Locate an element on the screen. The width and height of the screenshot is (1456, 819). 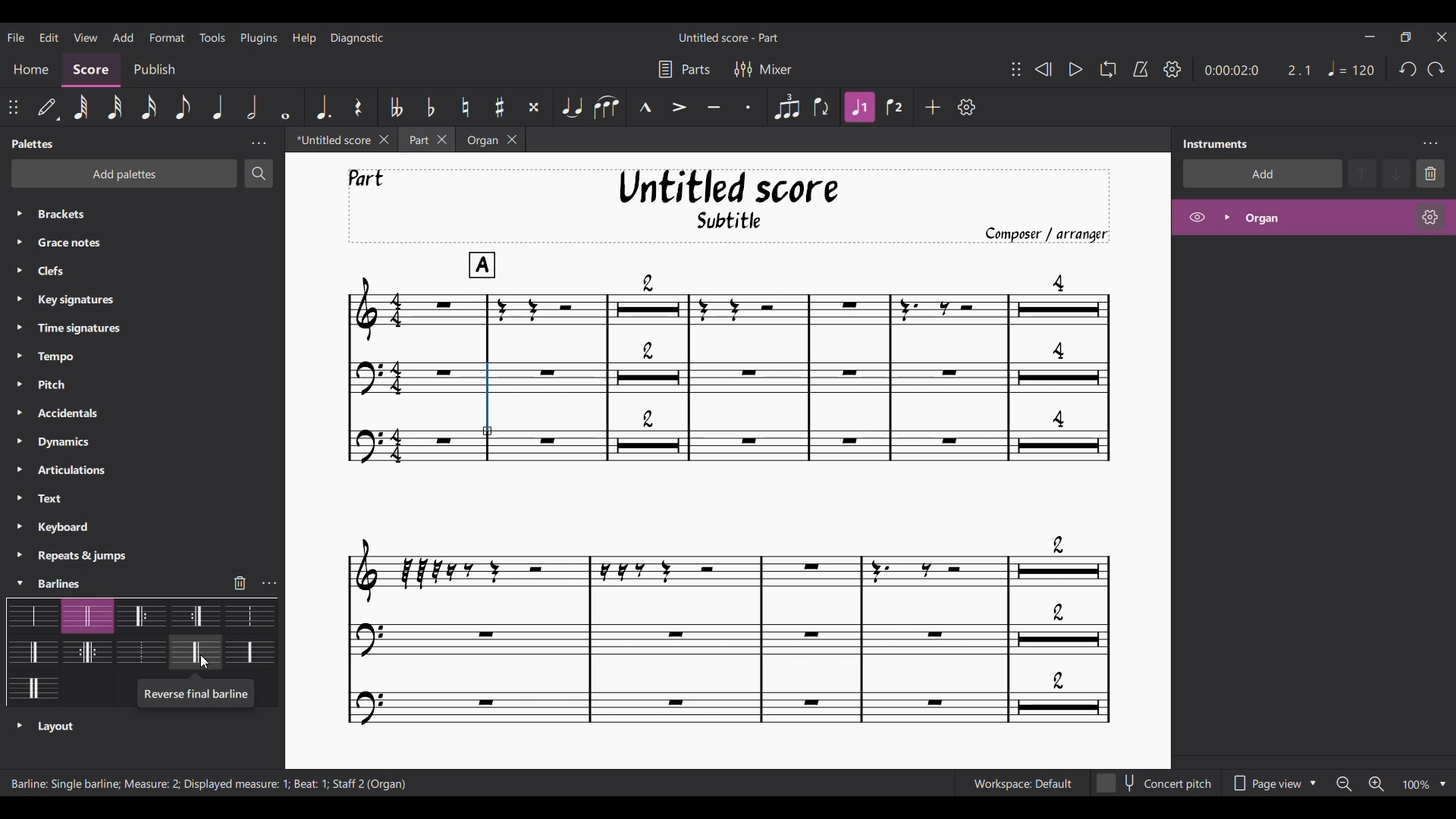
Tools menu is located at coordinates (213, 37).